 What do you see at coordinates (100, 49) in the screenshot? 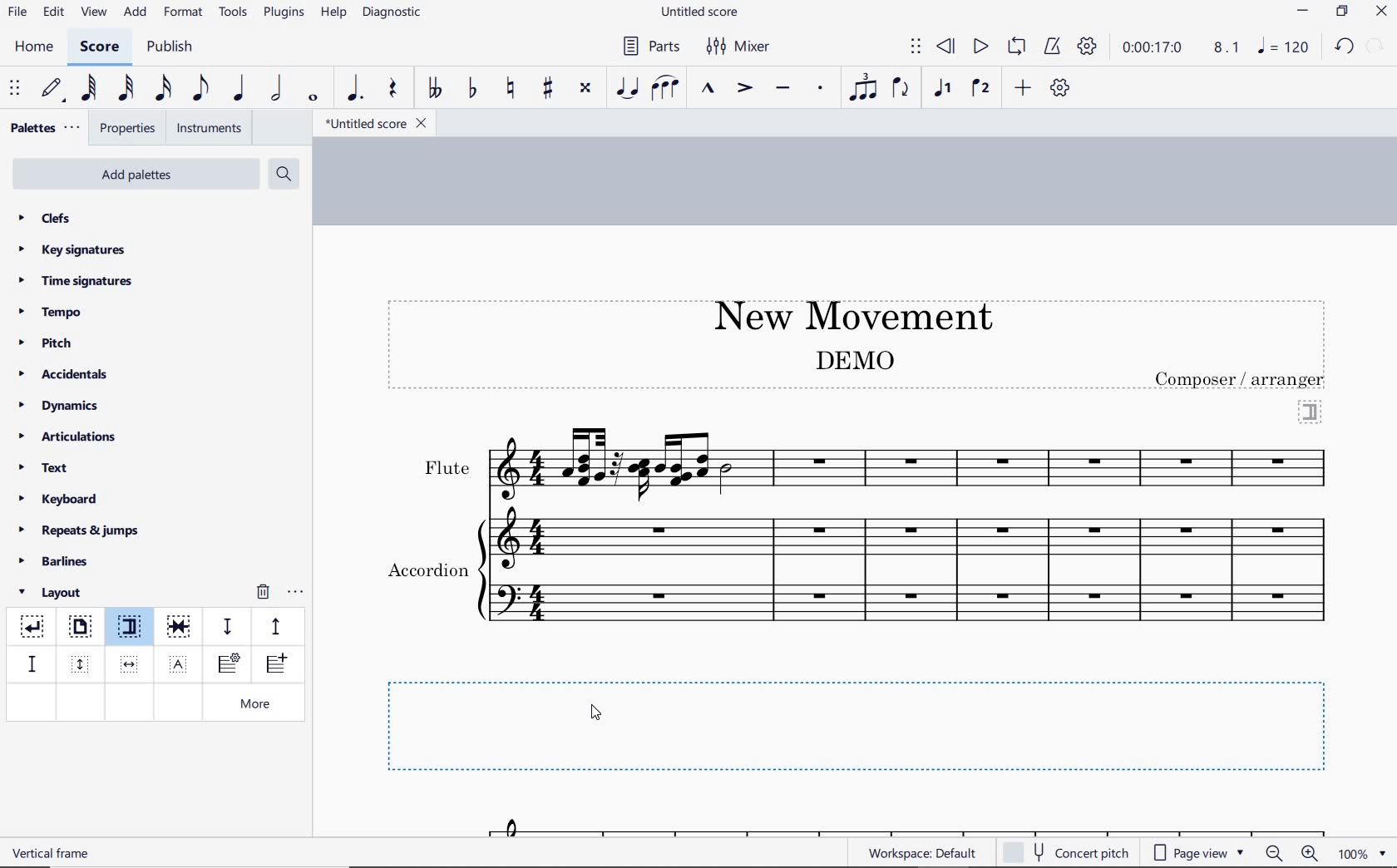
I see `score` at bounding box center [100, 49].